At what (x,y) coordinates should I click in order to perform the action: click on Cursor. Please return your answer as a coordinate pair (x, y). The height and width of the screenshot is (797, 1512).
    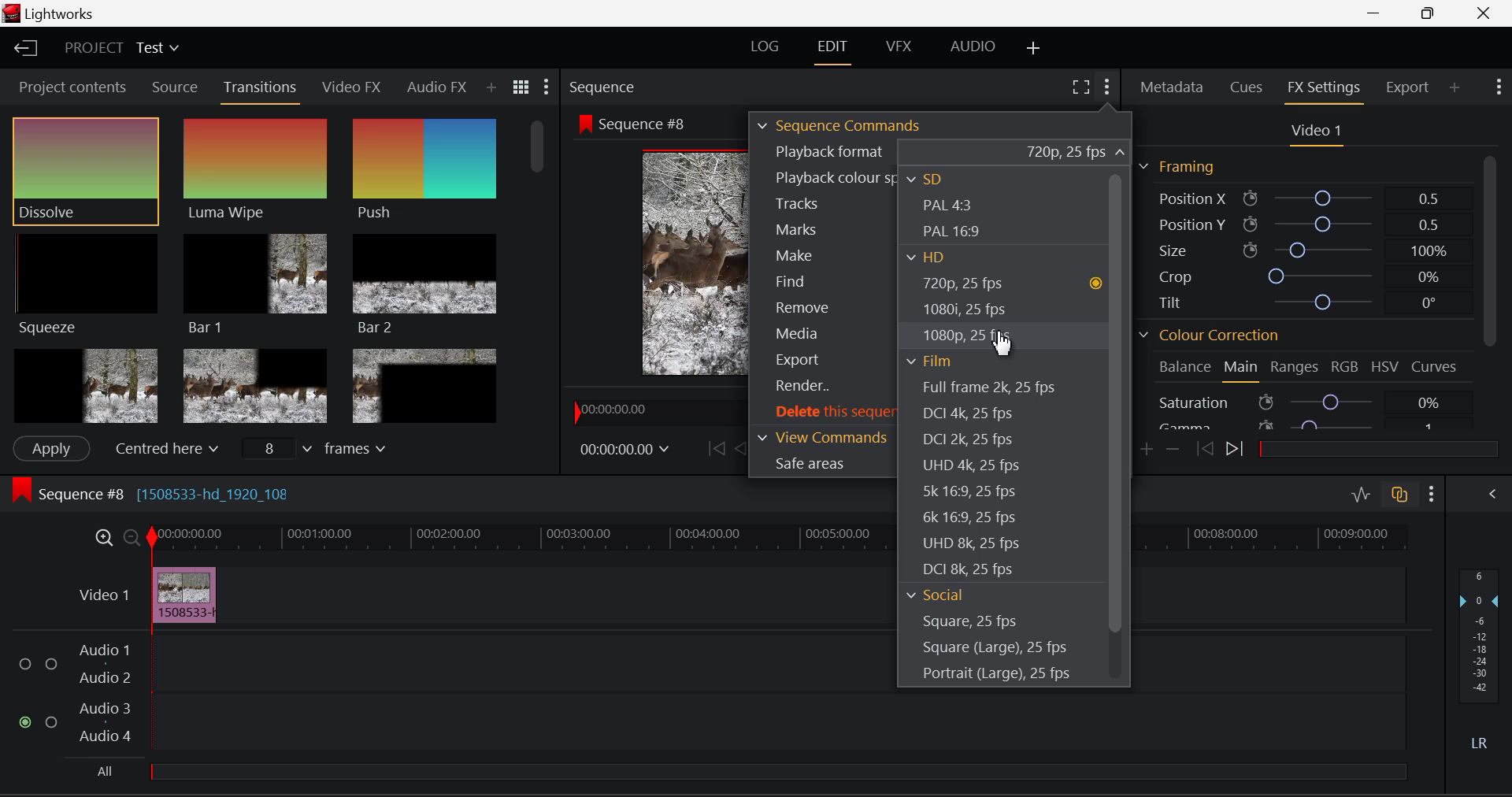
    Looking at the image, I should click on (1003, 344).